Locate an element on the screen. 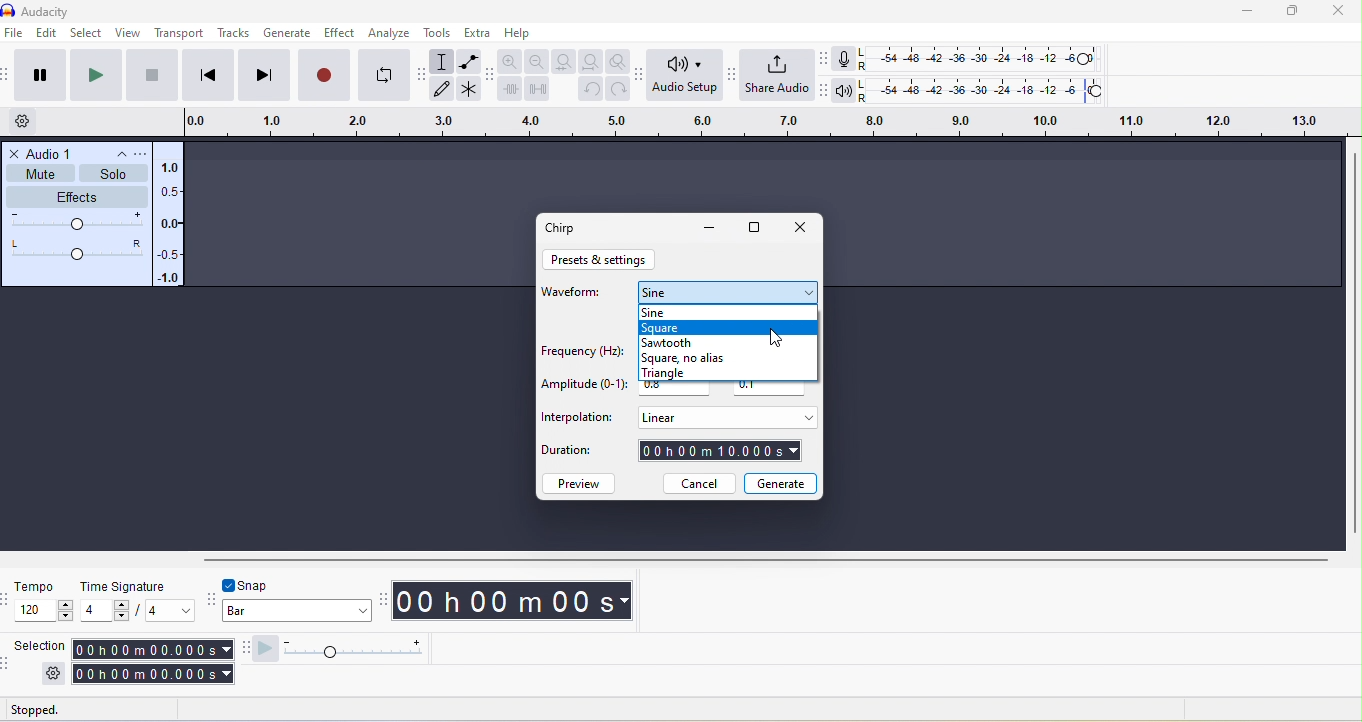 The width and height of the screenshot is (1362, 722). record is located at coordinates (323, 75).